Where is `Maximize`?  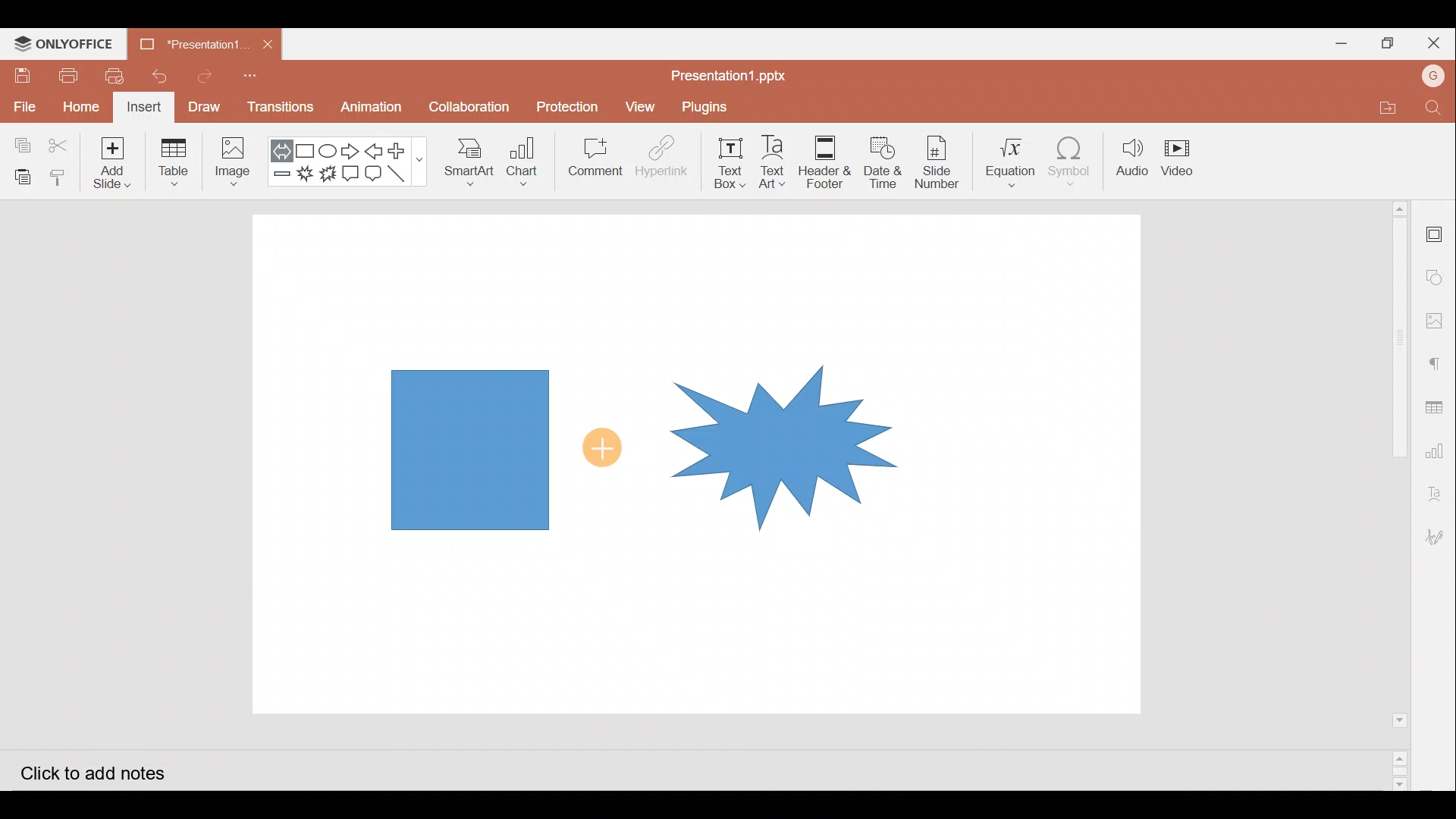
Maximize is located at coordinates (1384, 41).